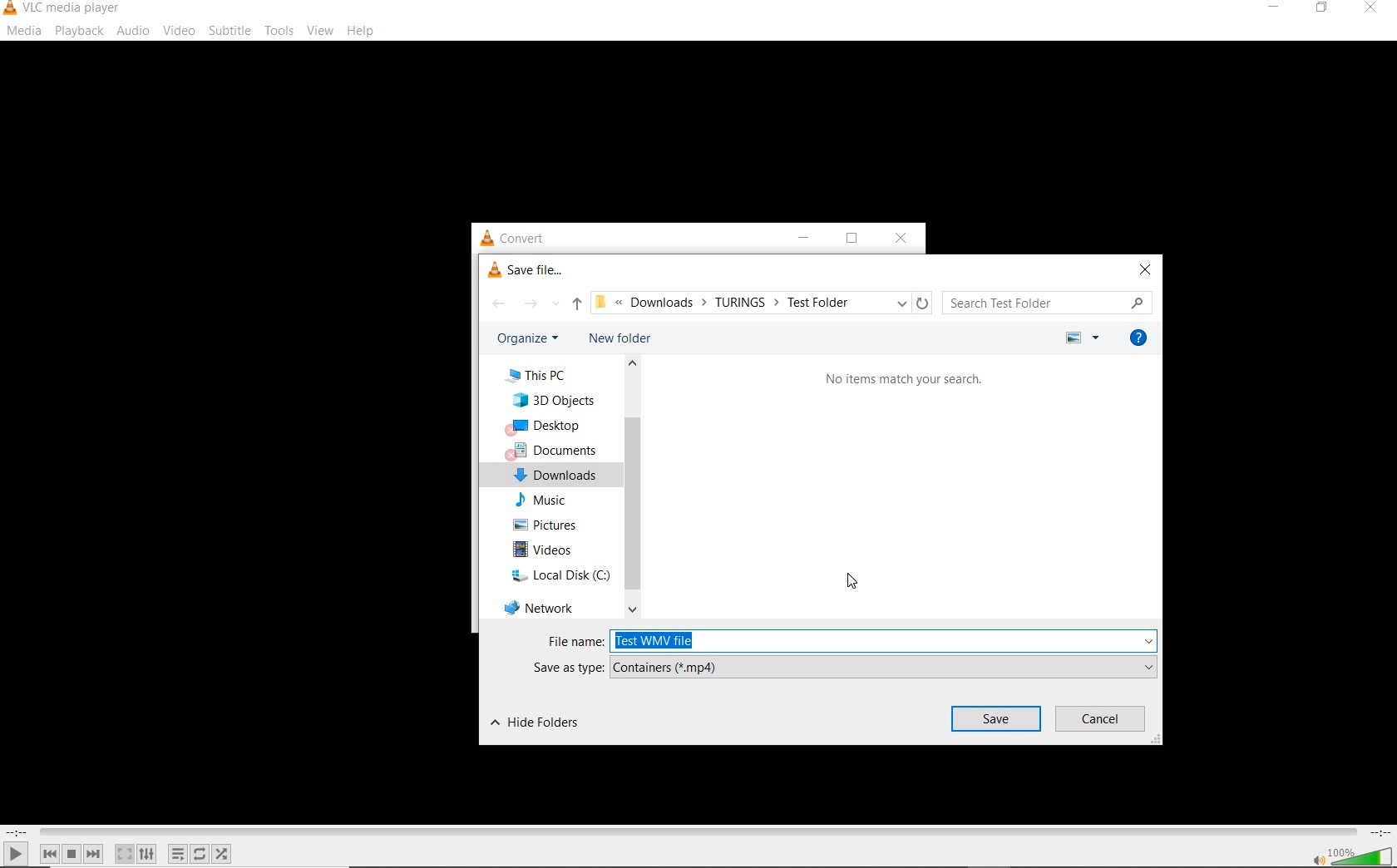 The image size is (1397, 868). What do you see at coordinates (901, 302) in the screenshot?
I see `previous locations` at bounding box center [901, 302].